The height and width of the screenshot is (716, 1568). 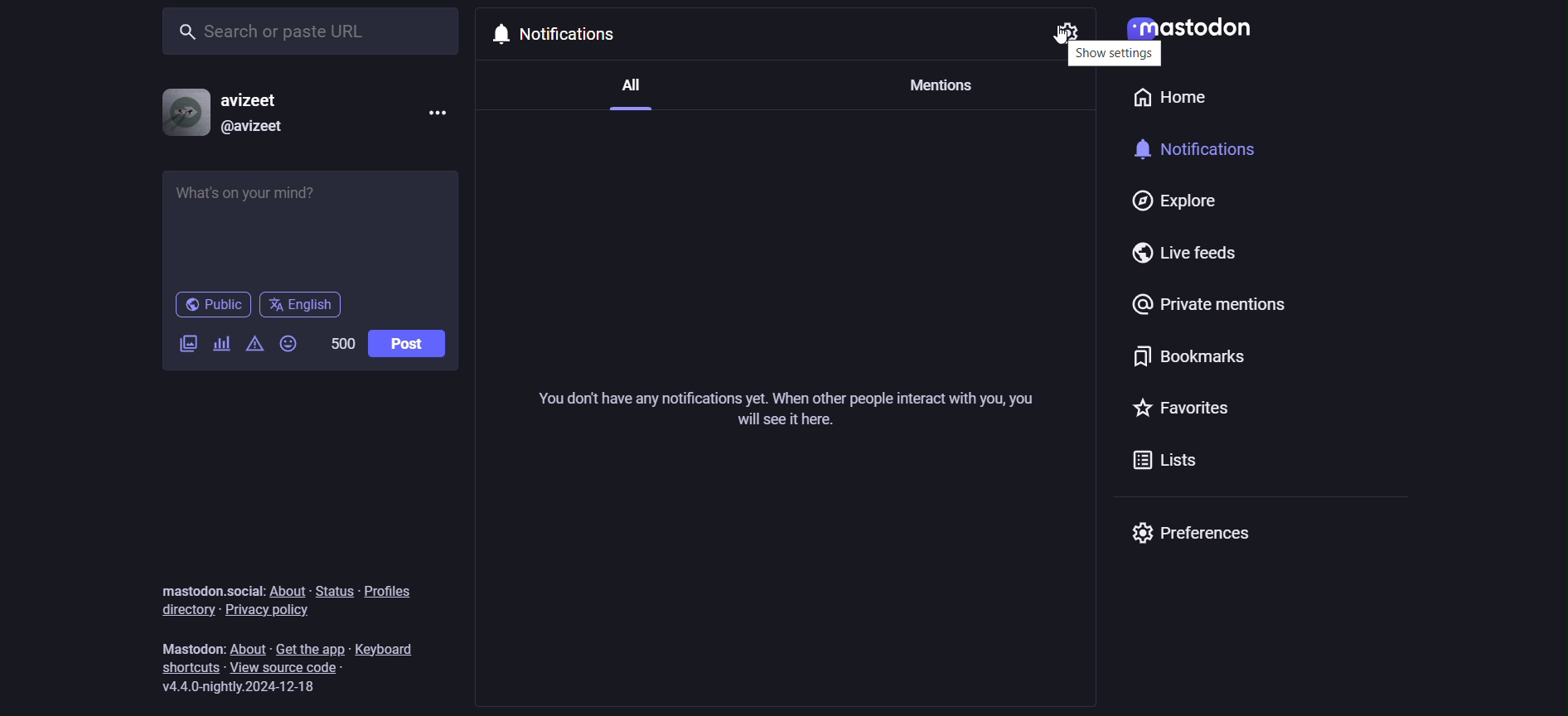 I want to click on notification, so click(x=1210, y=154).